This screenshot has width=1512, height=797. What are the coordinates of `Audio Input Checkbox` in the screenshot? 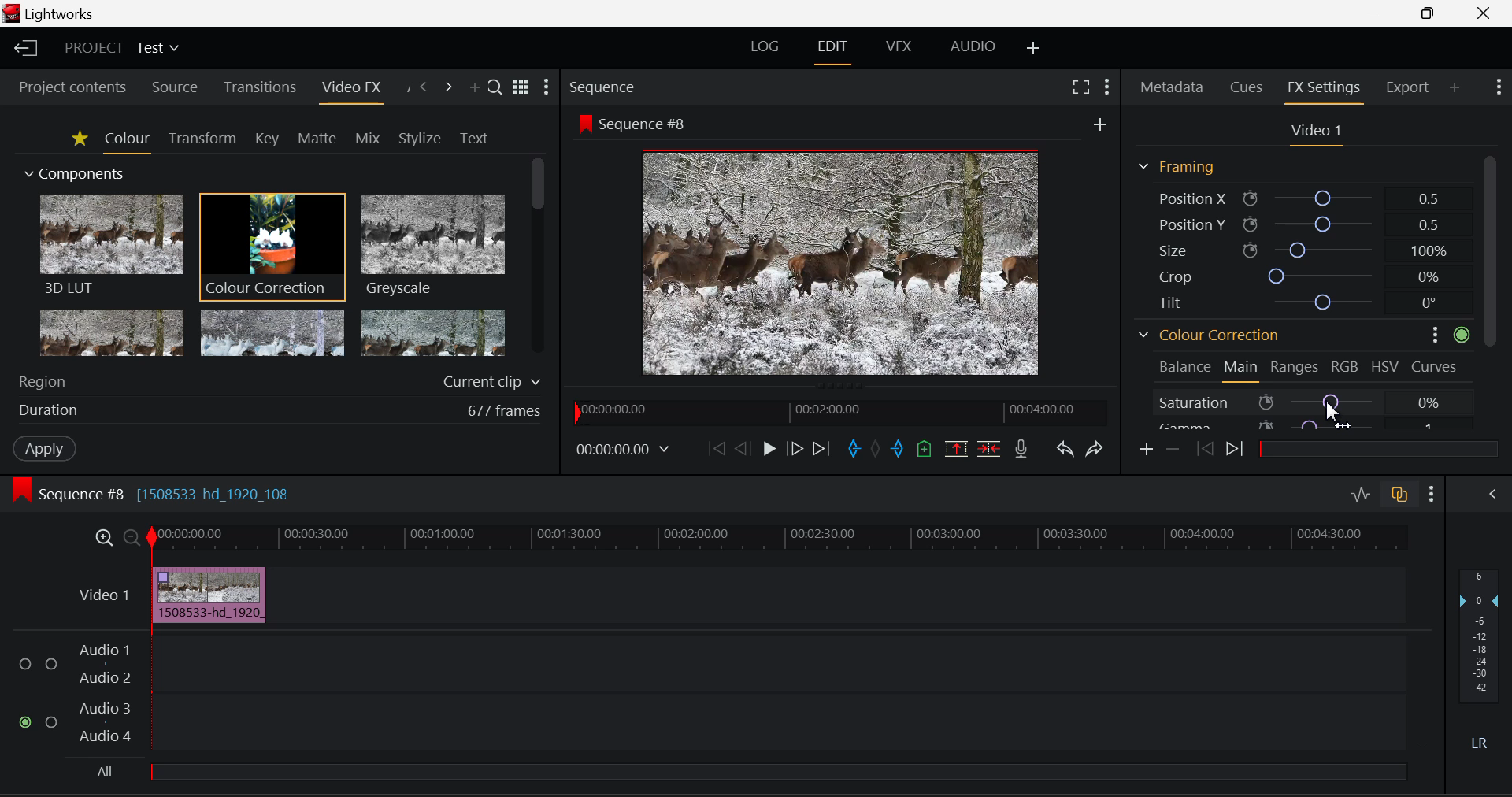 It's located at (24, 721).